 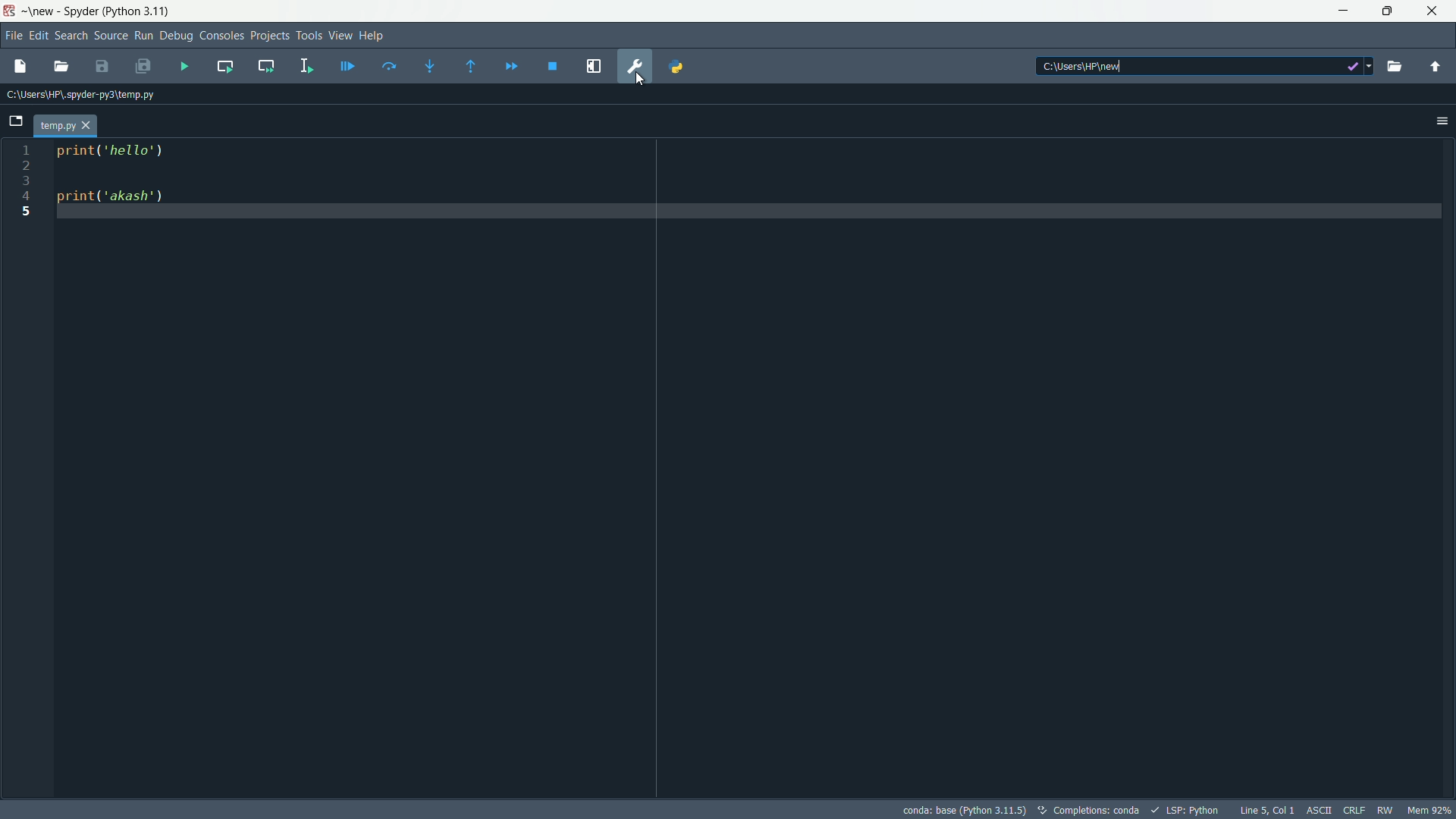 I want to click on run until next function, so click(x=472, y=67).